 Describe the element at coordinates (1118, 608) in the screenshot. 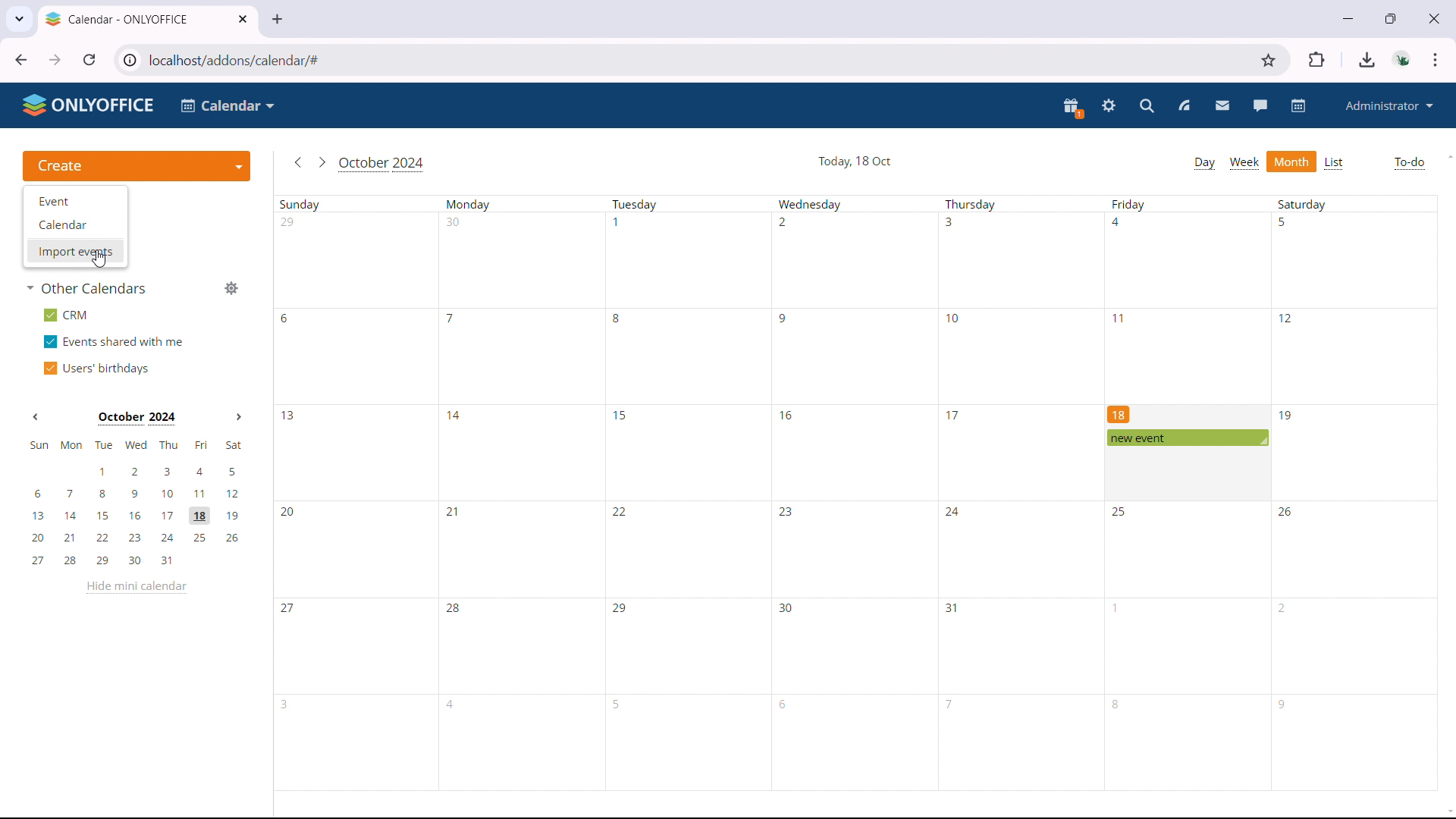

I see `1` at that location.